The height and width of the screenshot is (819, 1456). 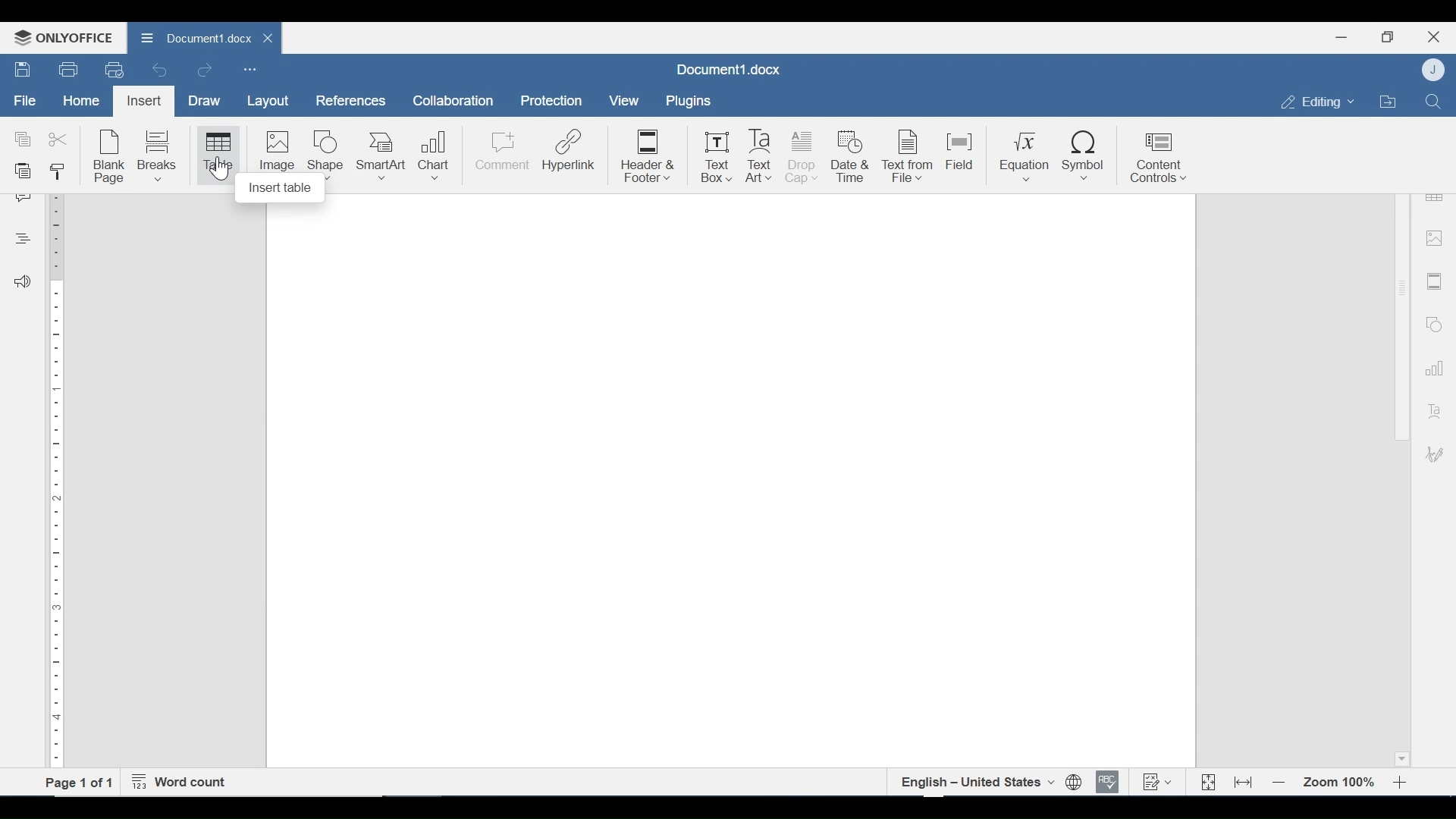 I want to click on cursor, so click(x=220, y=169).